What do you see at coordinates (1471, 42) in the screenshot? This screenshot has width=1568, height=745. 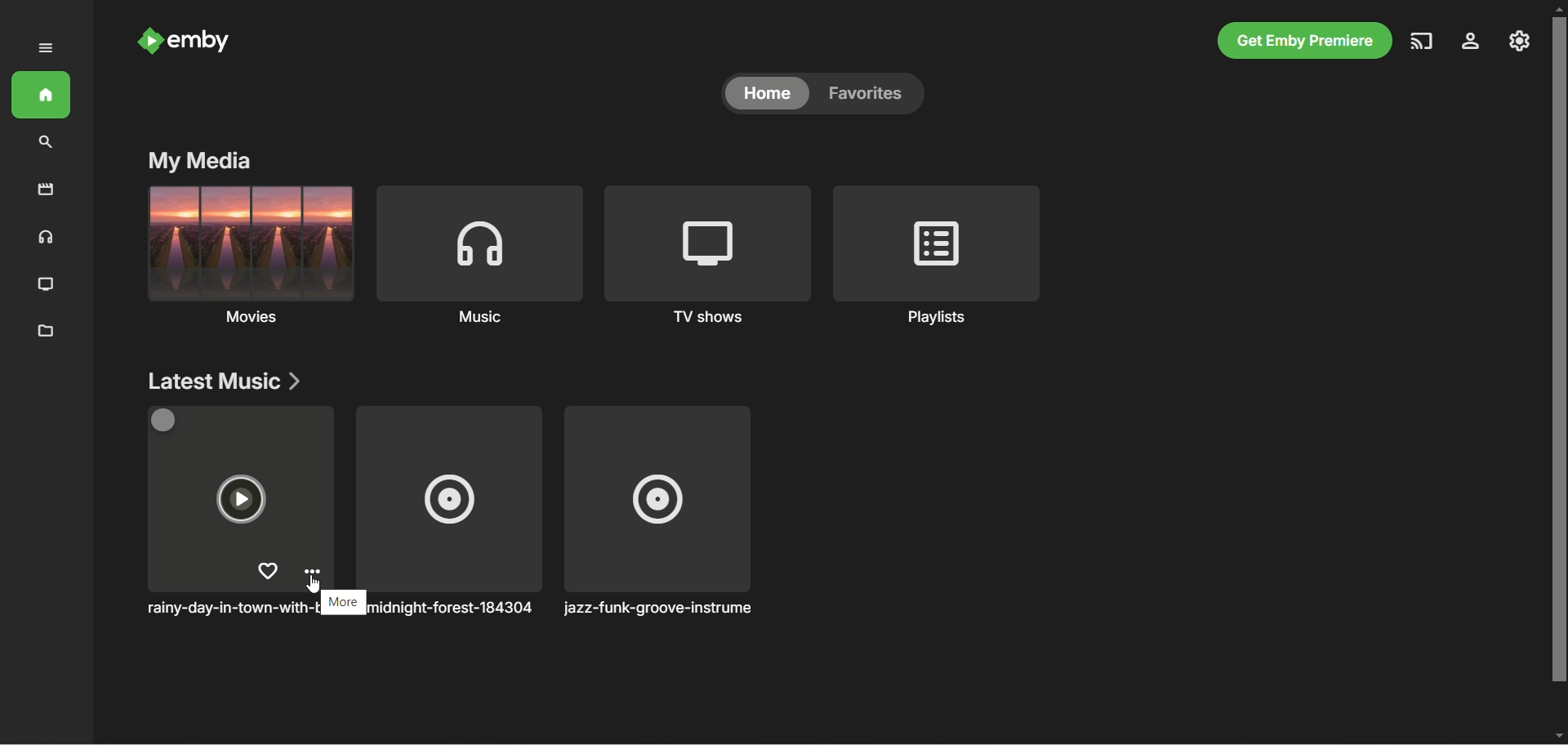 I see `settings` at bounding box center [1471, 42].